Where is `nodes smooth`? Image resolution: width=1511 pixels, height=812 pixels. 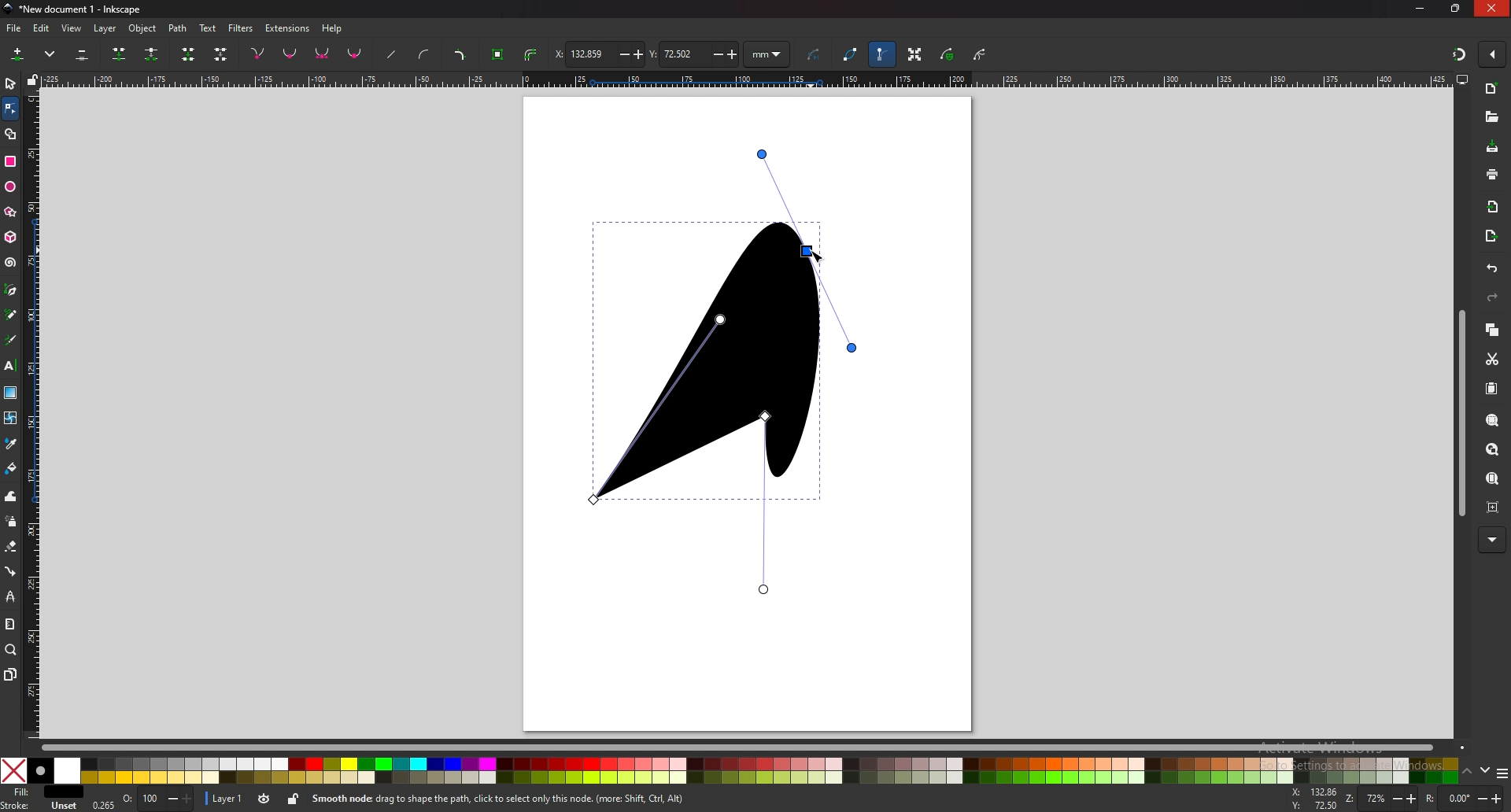 nodes smooth is located at coordinates (290, 53).